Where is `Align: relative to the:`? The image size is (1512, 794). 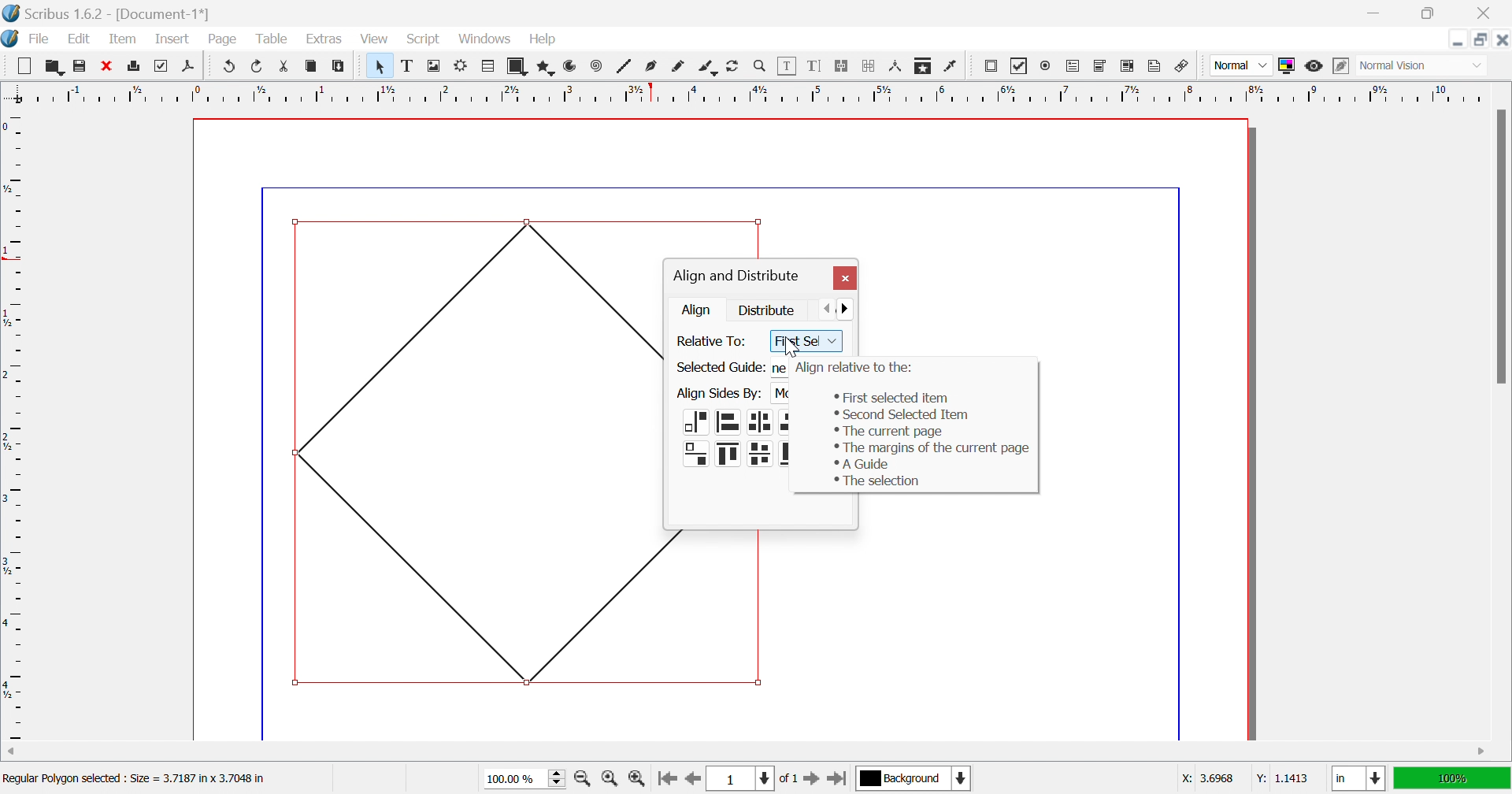 Align: relative to the: is located at coordinates (855, 368).